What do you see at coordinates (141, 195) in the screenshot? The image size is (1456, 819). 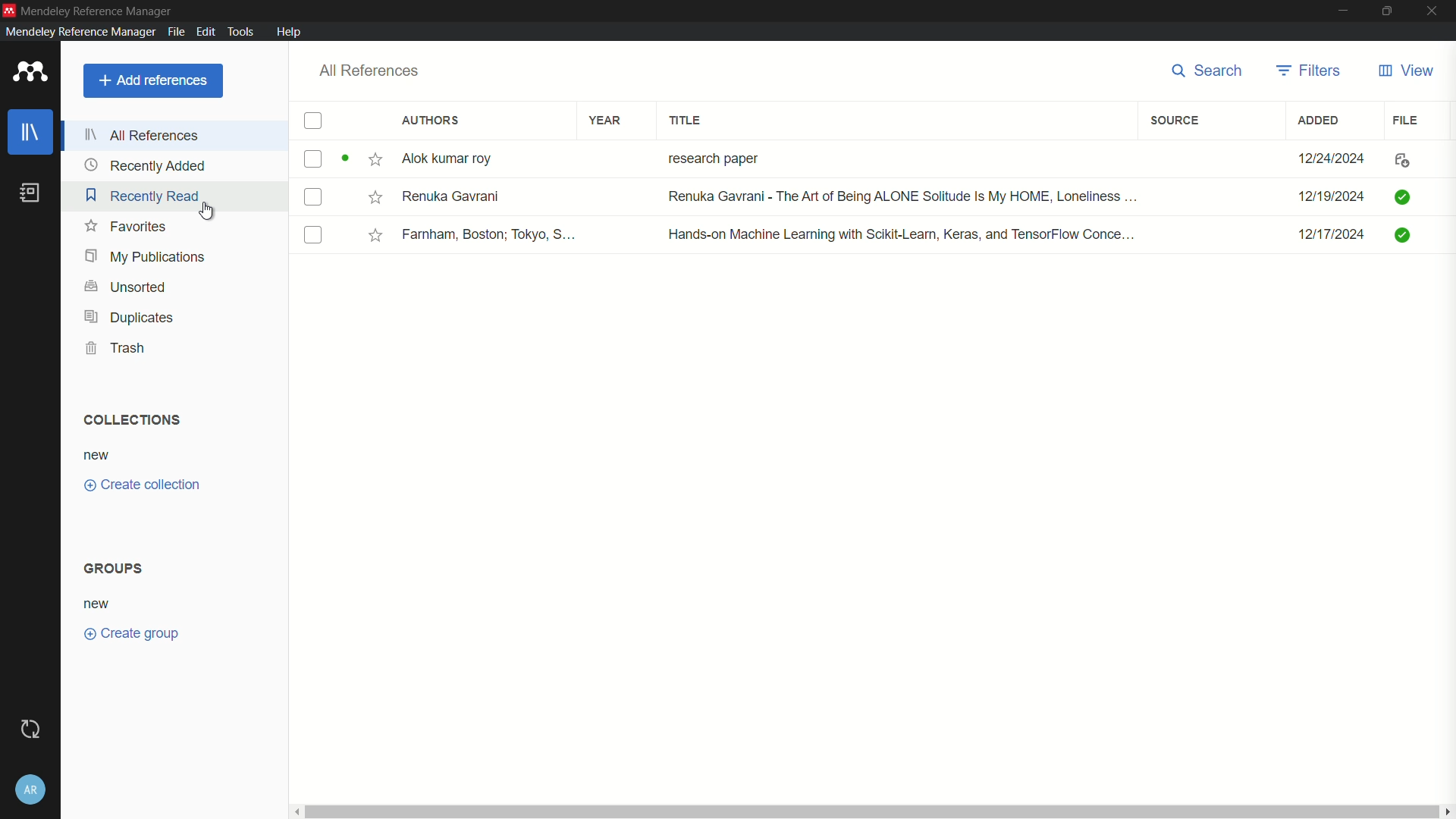 I see `recently read` at bounding box center [141, 195].